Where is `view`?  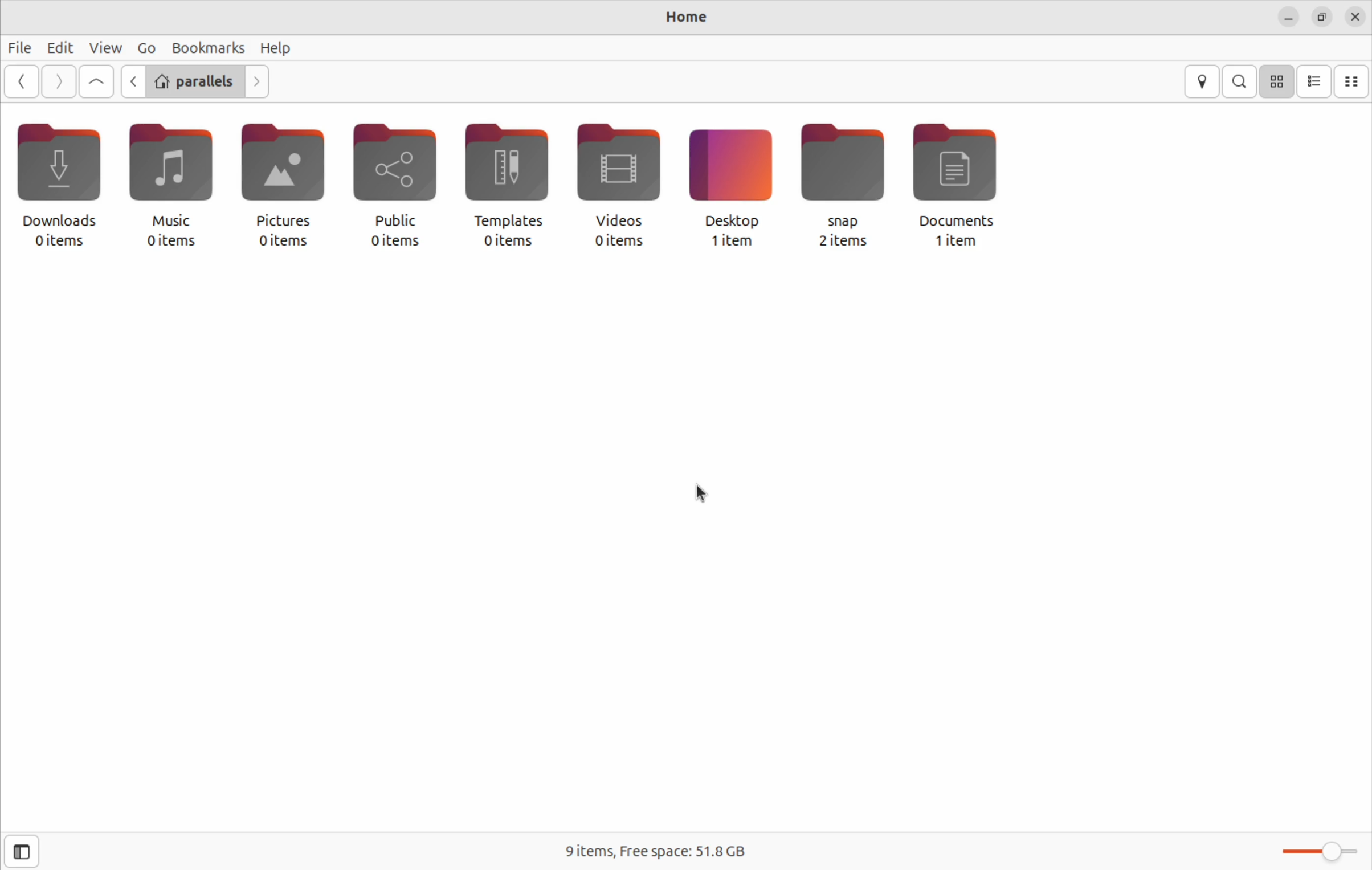
view is located at coordinates (104, 47).